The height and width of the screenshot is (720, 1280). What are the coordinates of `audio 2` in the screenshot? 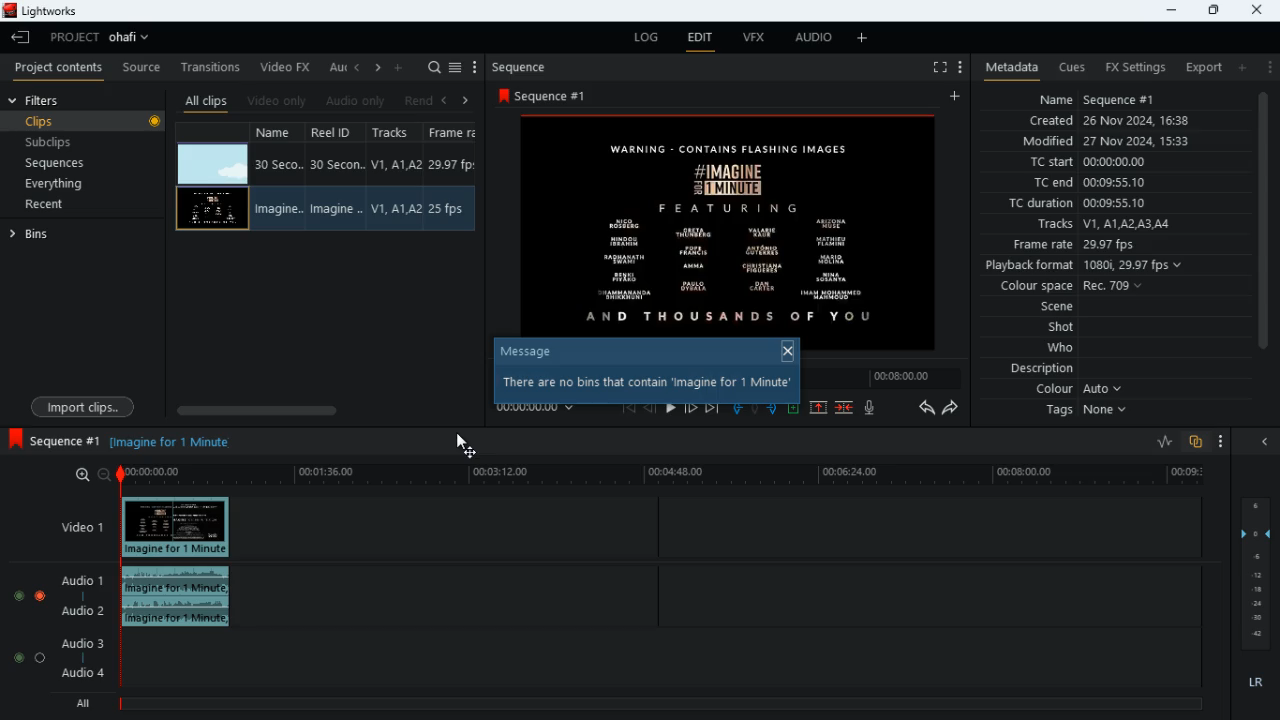 It's located at (86, 613).